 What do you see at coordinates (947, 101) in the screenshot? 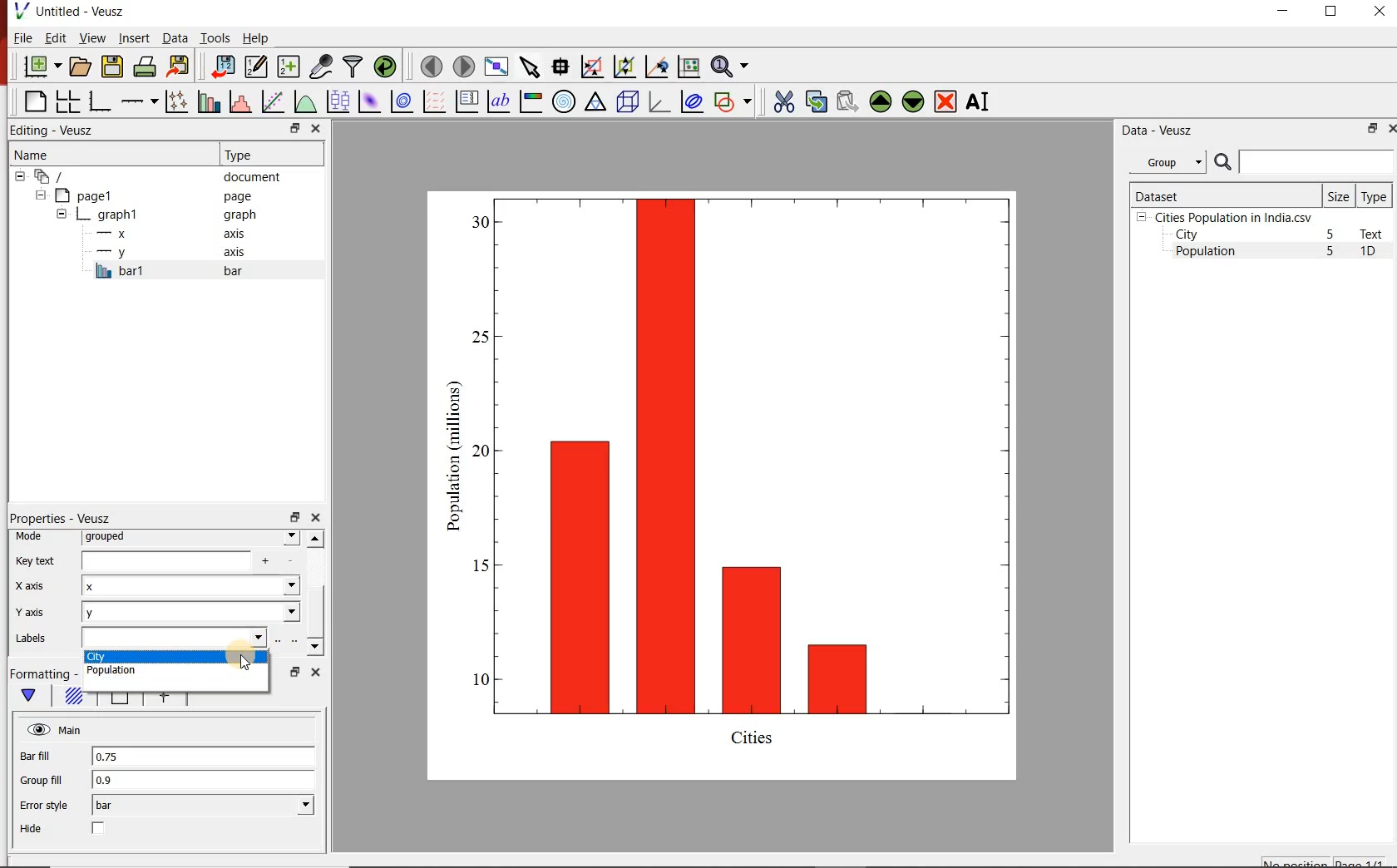
I see `remove the selected widgets` at bounding box center [947, 101].